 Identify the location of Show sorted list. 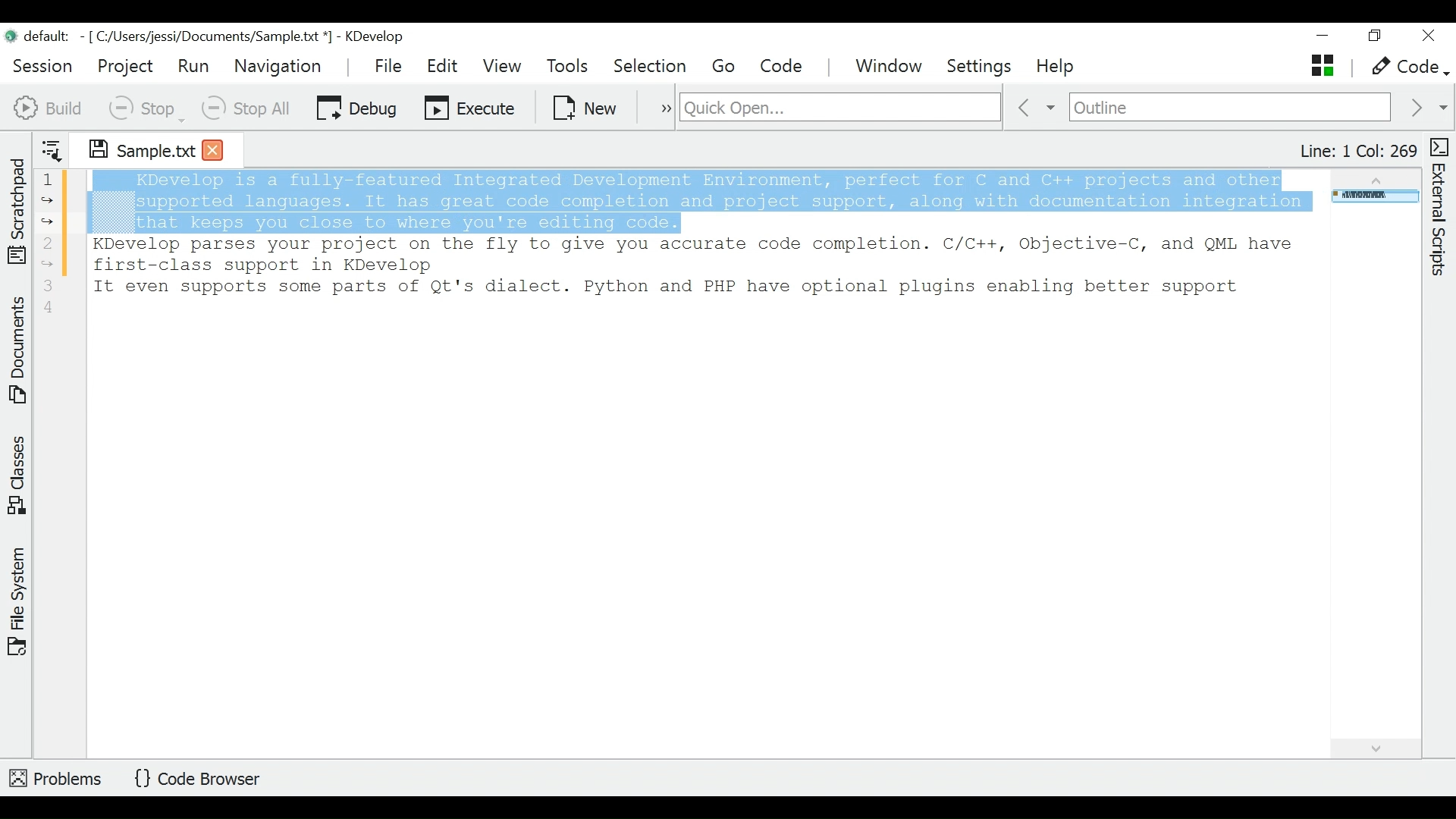
(52, 147).